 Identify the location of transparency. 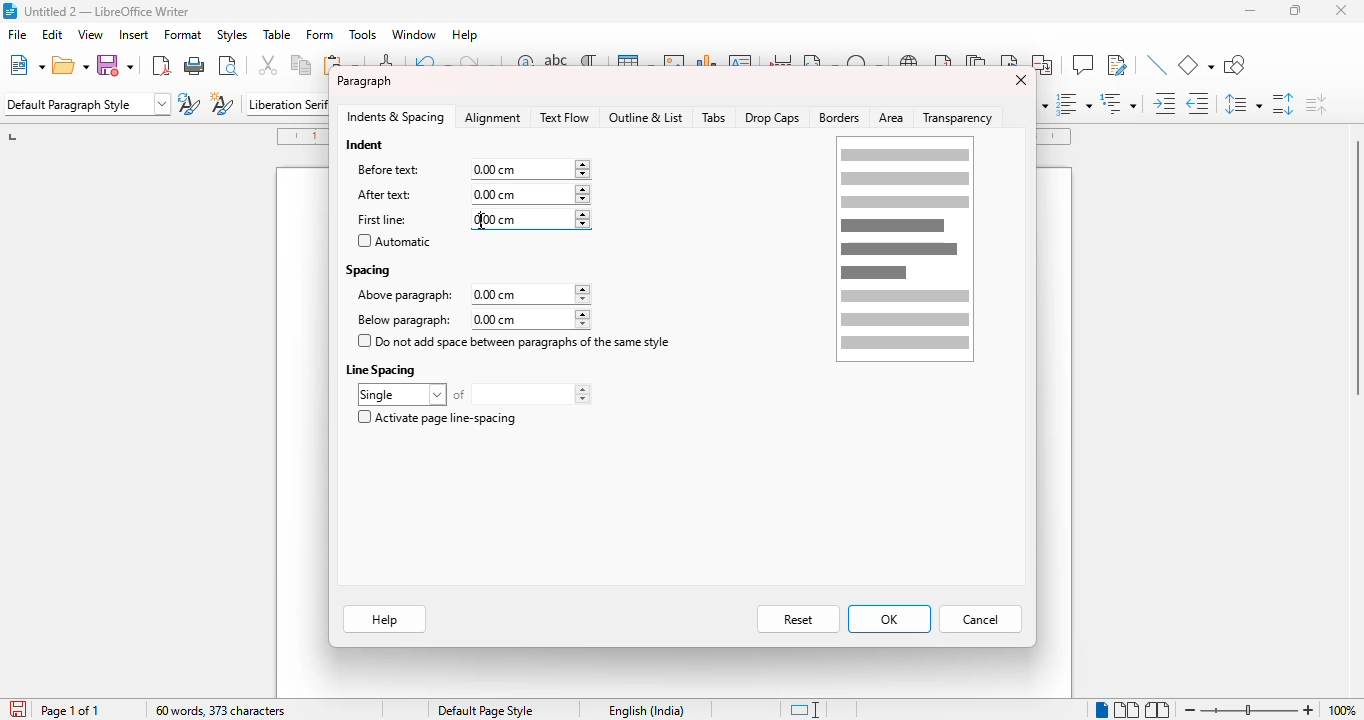
(961, 117).